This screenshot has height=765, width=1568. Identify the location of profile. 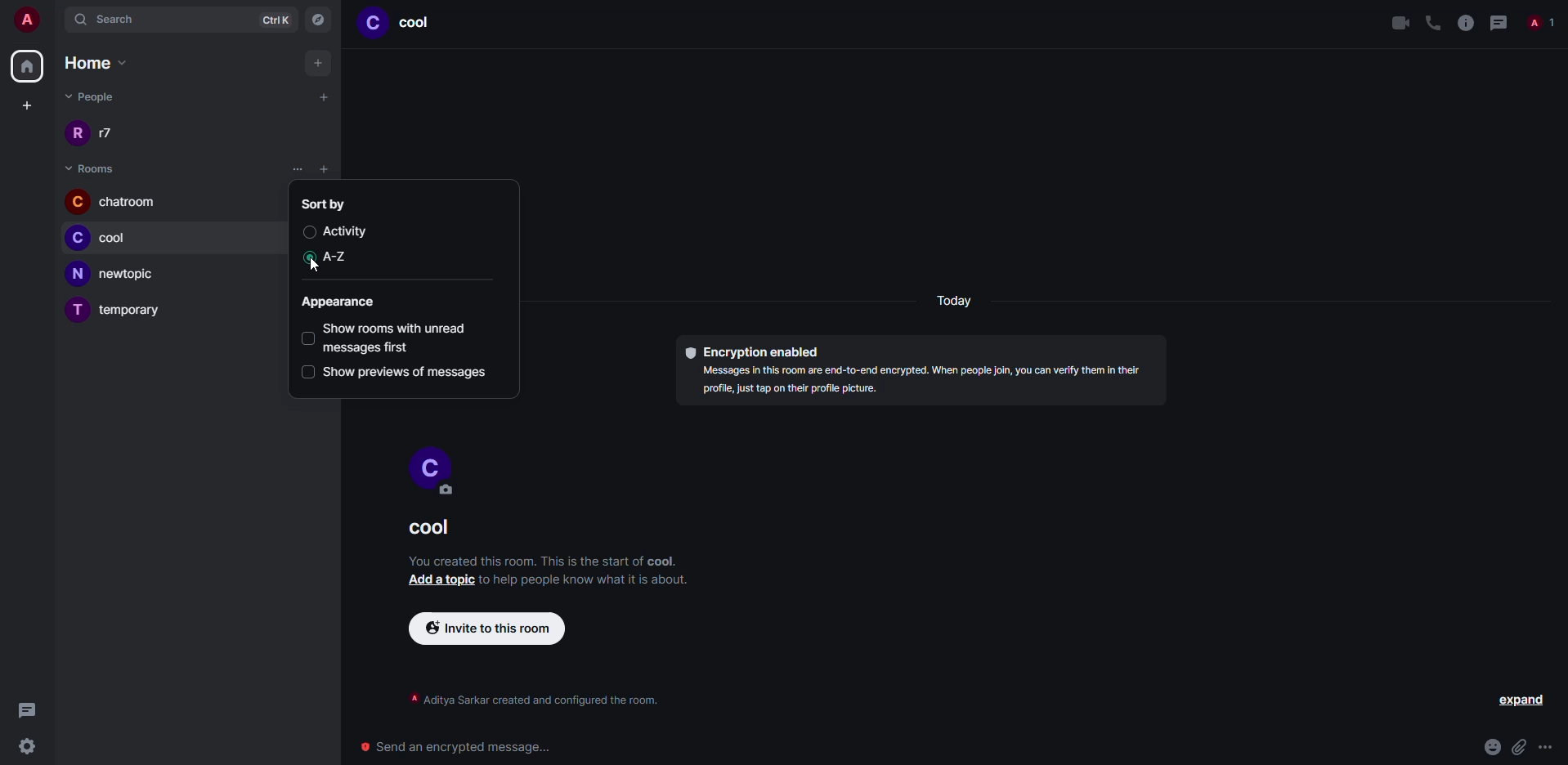
(76, 202).